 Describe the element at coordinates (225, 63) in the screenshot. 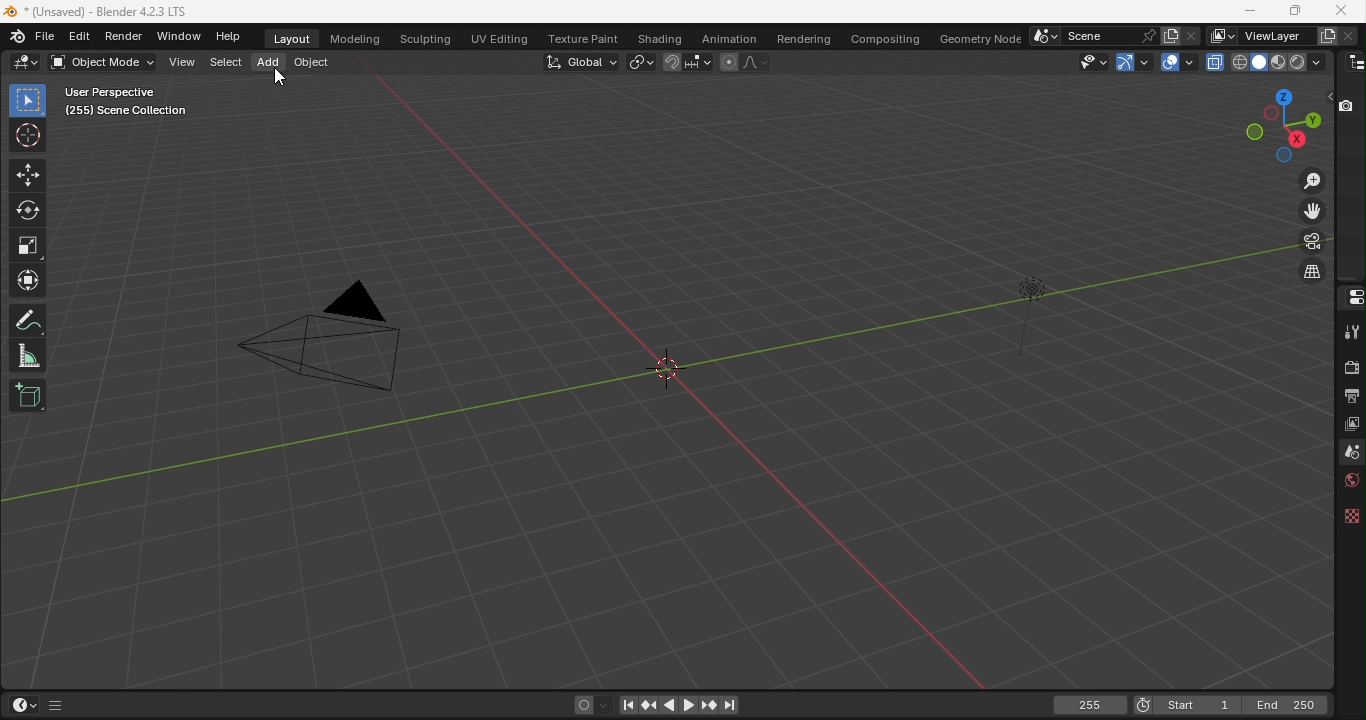

I see `Select` at that location.